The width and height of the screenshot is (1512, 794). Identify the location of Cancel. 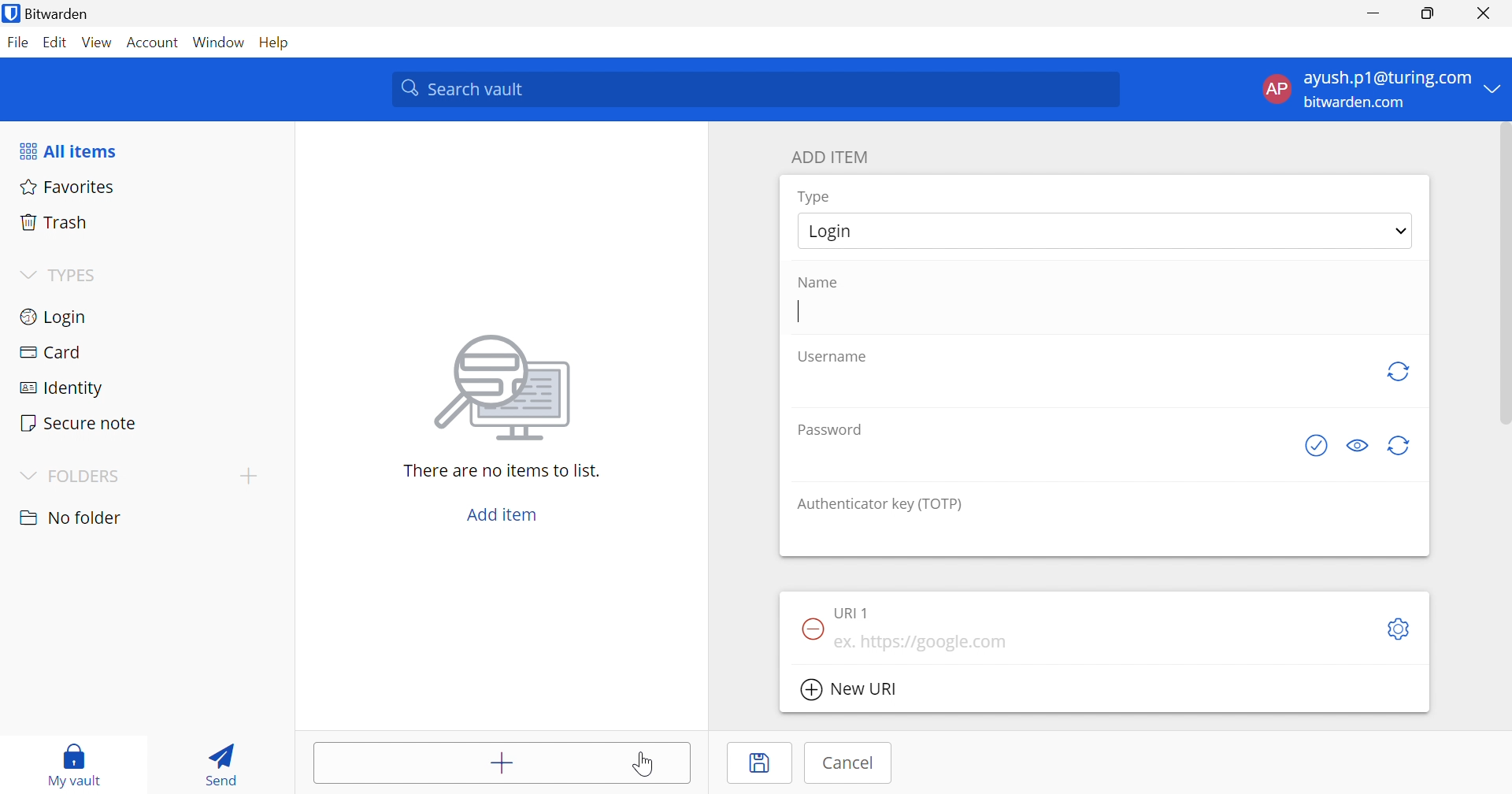
(849, 763).